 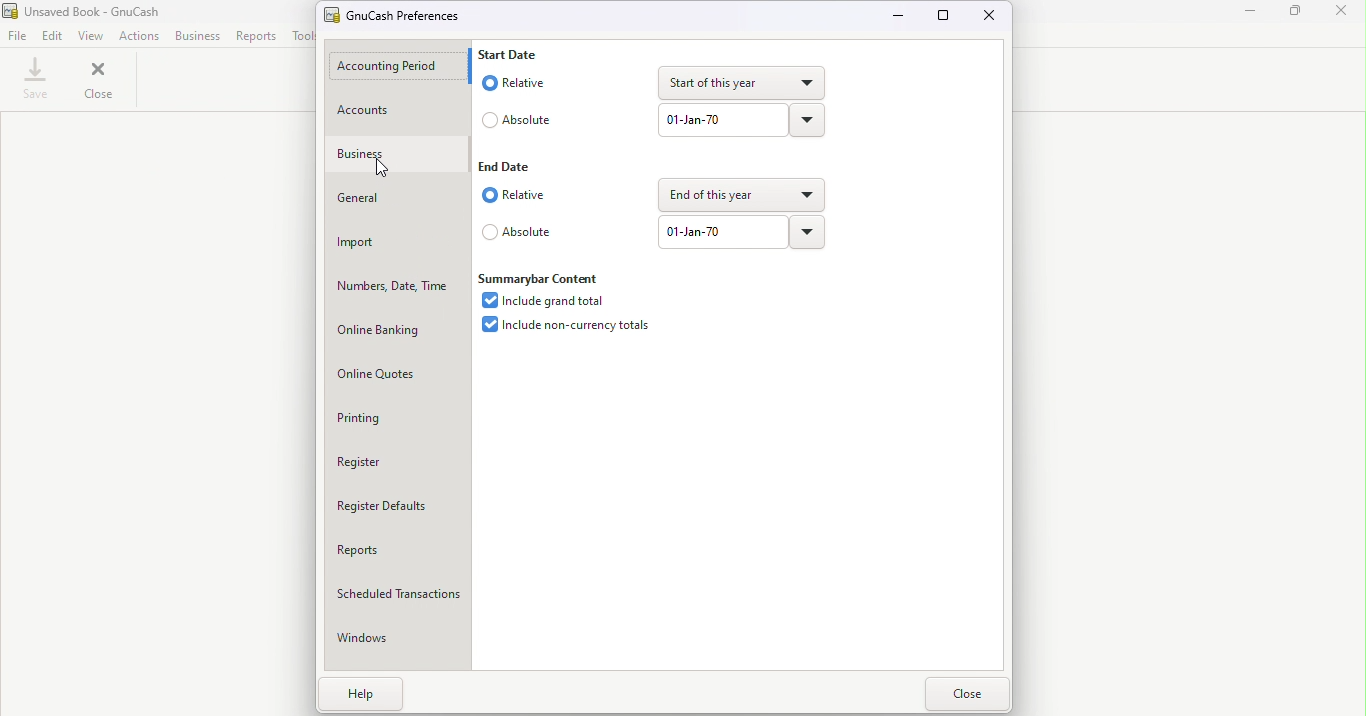 What do you see at coordinates (257, 36) in the screenshot?
I see `Report` at bounding box center [257, 36].